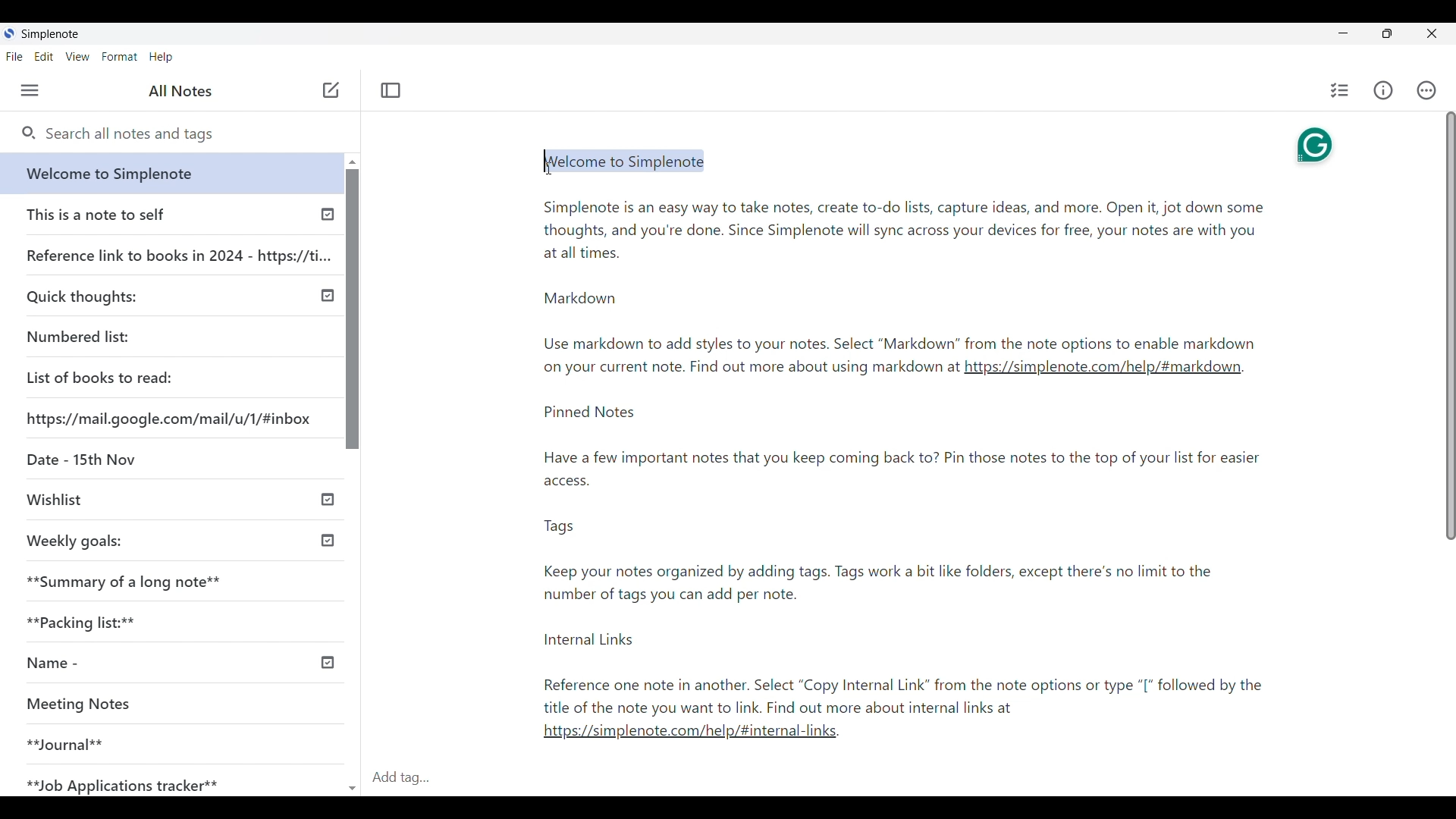  I want to click on Current note highlighted, so click(165, 173).